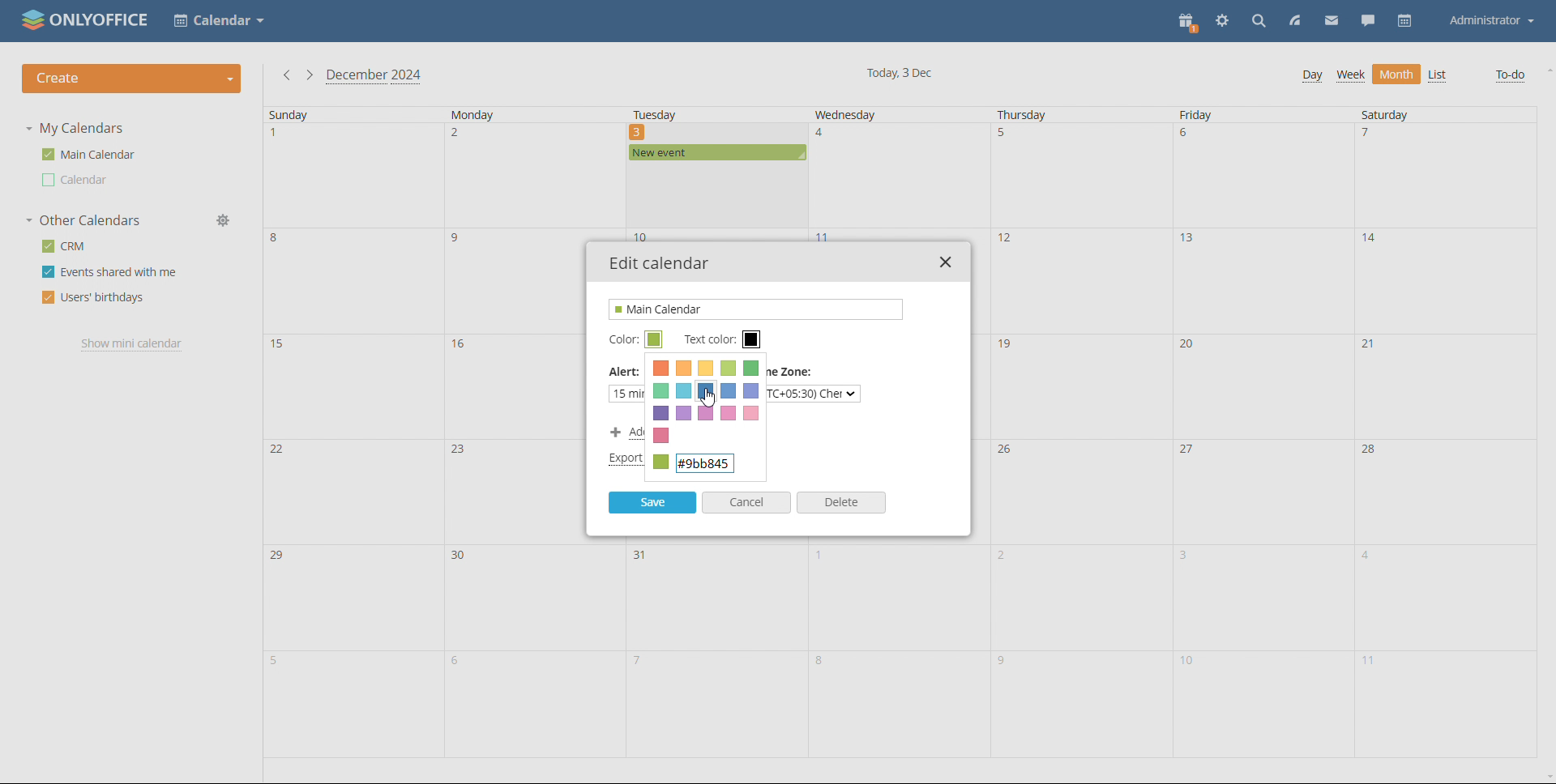  I want to click on date, so click(1262, 489).